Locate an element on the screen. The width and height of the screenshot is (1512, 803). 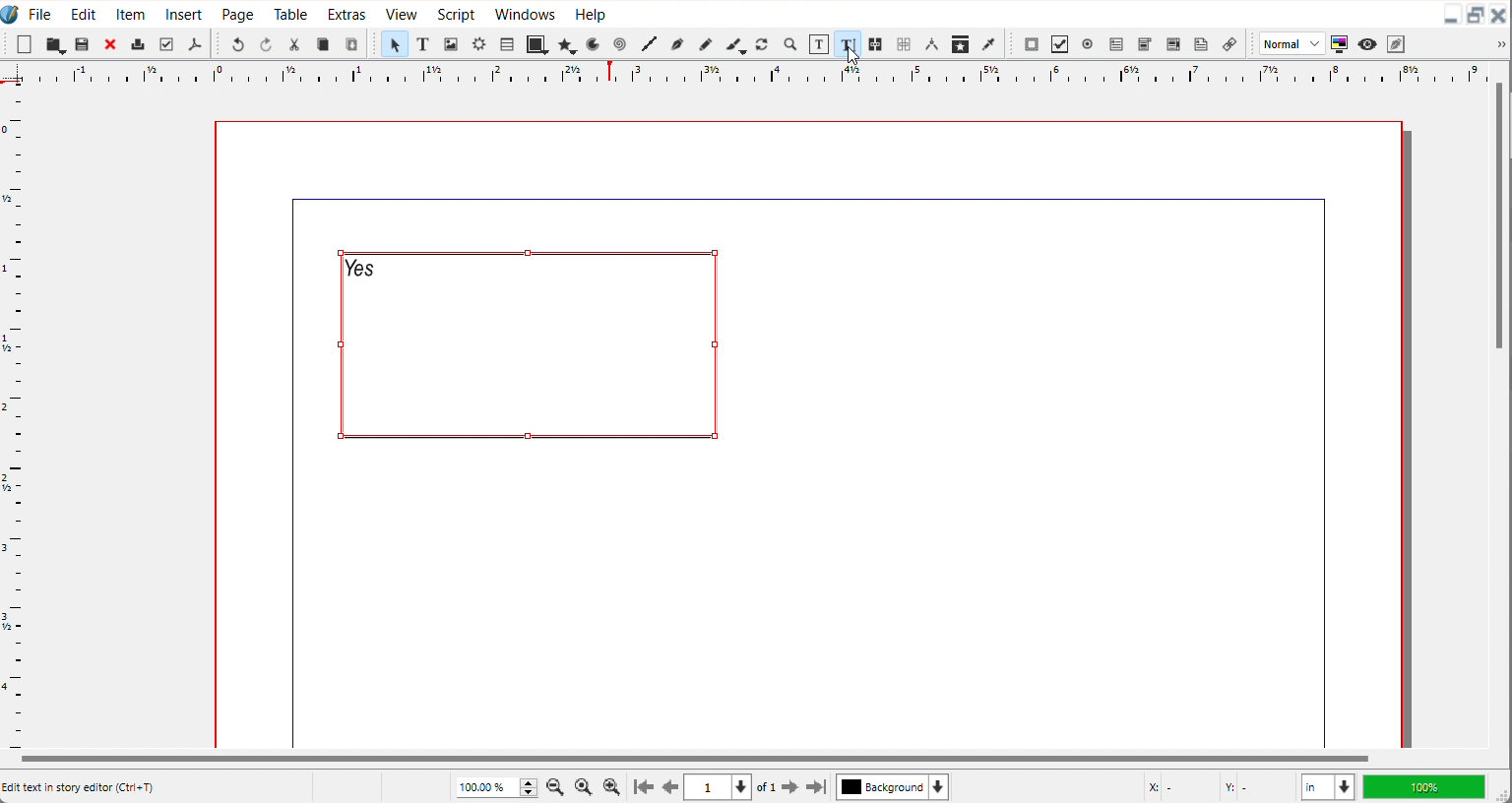
Vertical scroll bar is located at coordinates (1499, 217).